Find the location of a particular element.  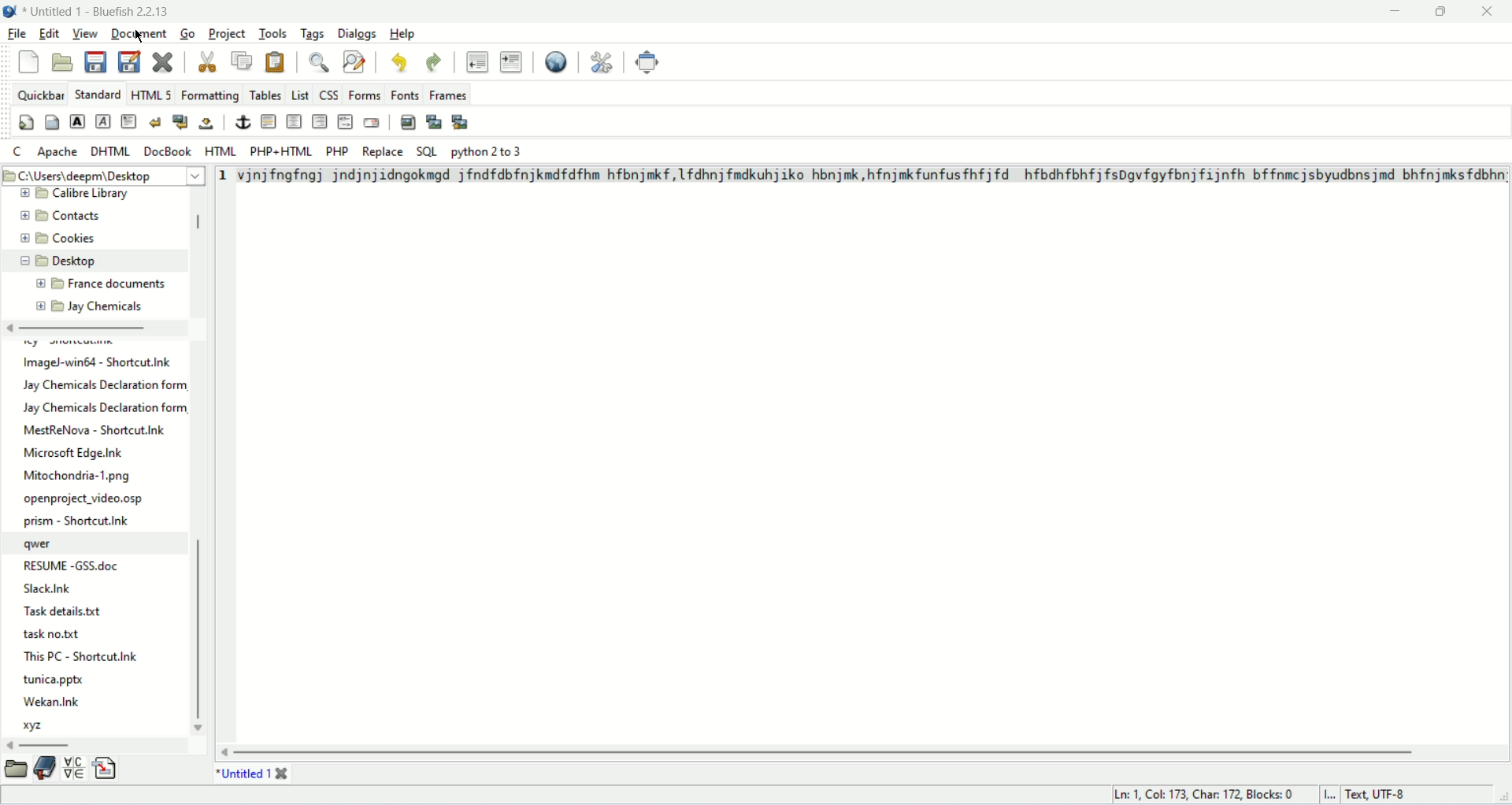

ImageJ-win64 - Shortcut.Ink is located at coordinates (99, 363).